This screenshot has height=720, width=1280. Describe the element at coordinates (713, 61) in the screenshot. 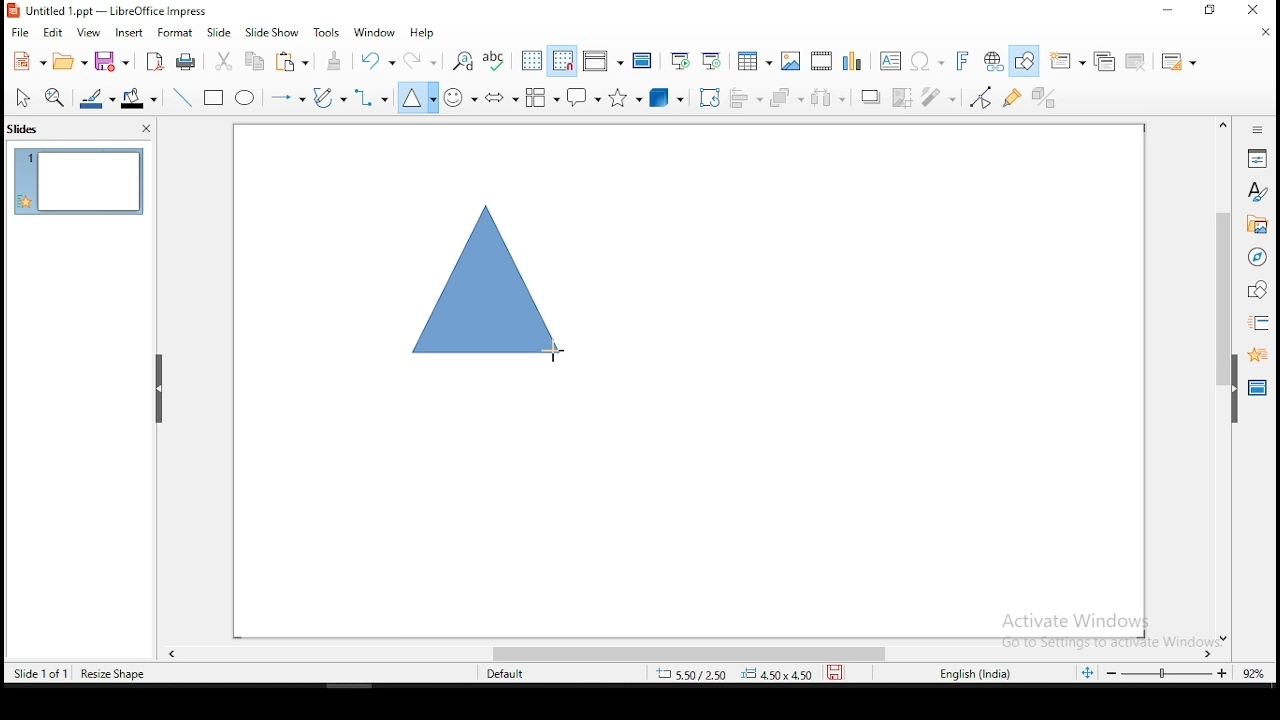

I see `start from current slide` at that location.